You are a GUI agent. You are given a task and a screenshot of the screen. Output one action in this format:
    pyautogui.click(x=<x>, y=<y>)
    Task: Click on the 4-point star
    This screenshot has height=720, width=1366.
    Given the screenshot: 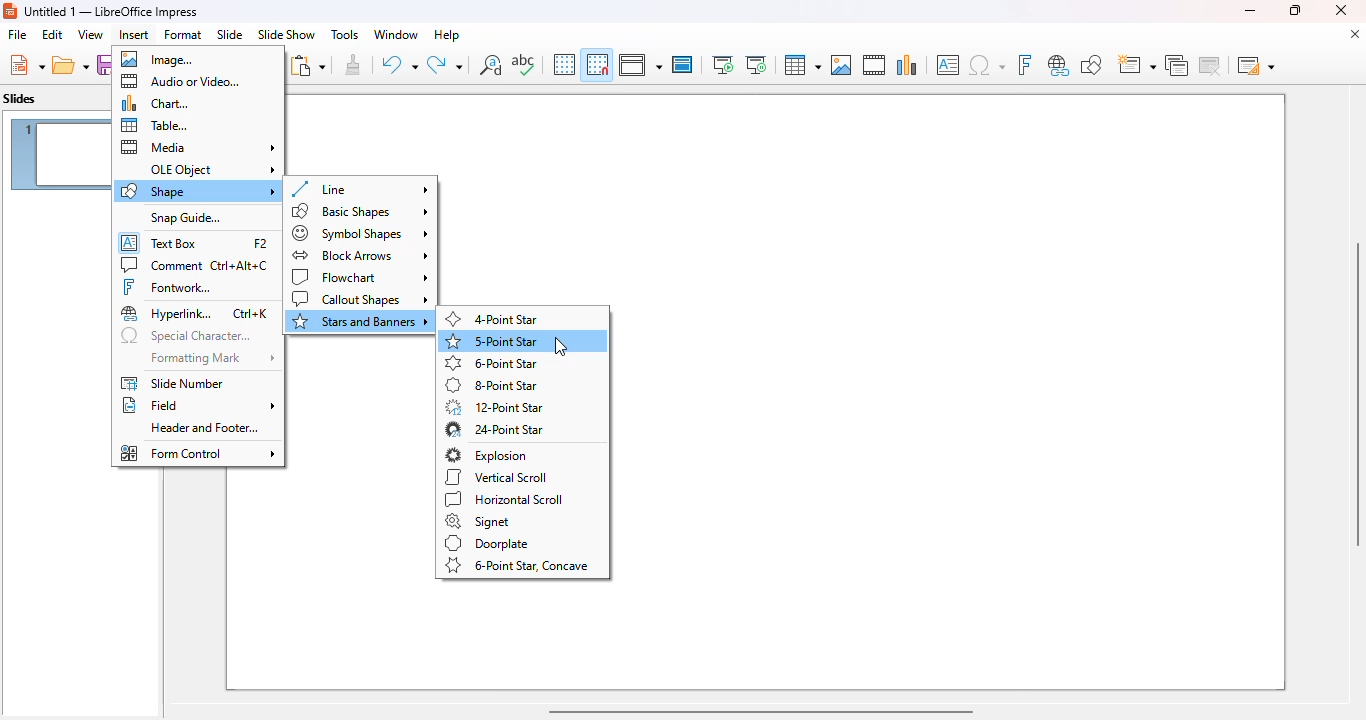 What is the action you would take?
    pyautogui.click(x=493, y=319)
    